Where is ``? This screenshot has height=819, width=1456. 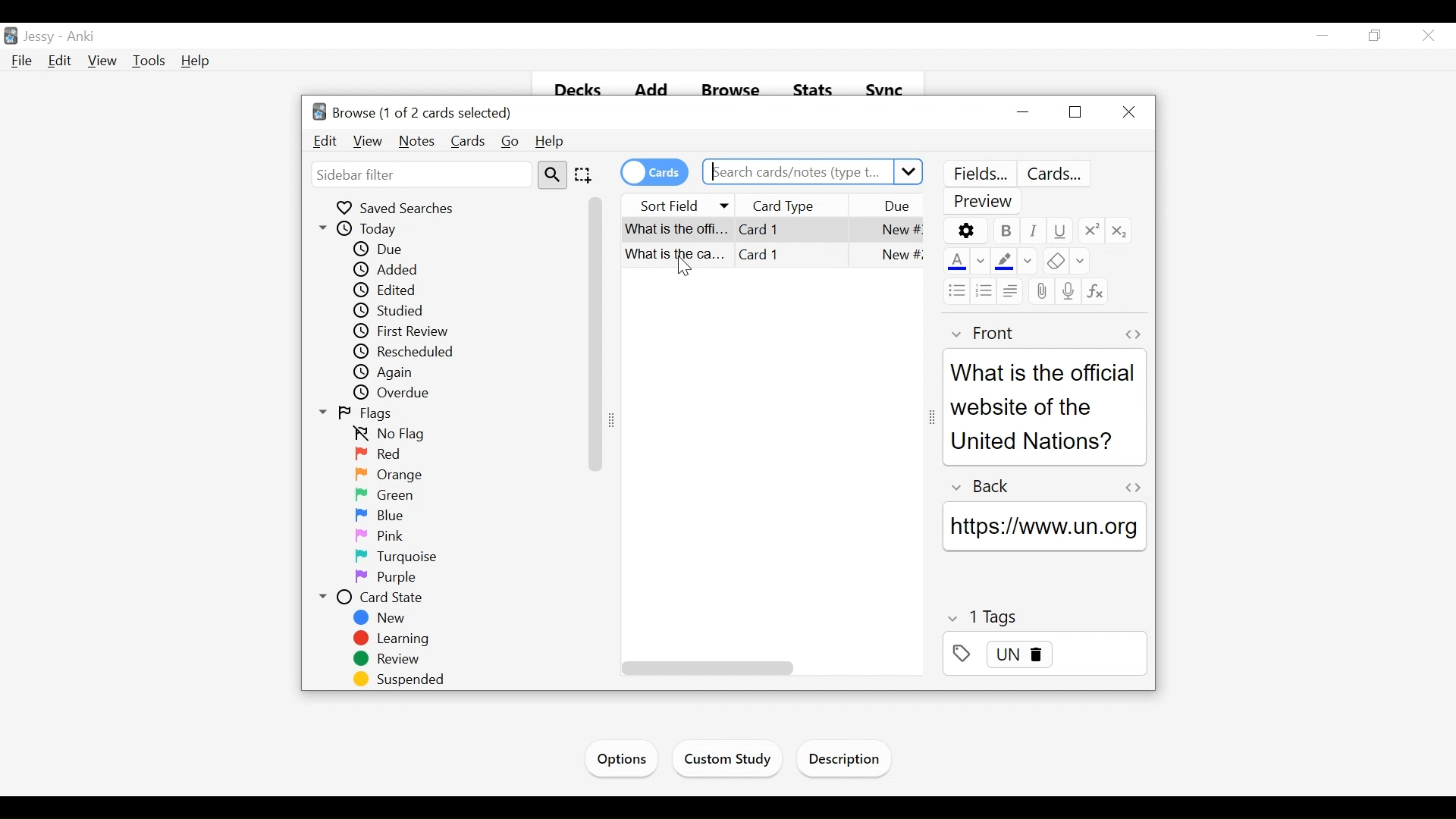  is located at coordinates (586, 174).